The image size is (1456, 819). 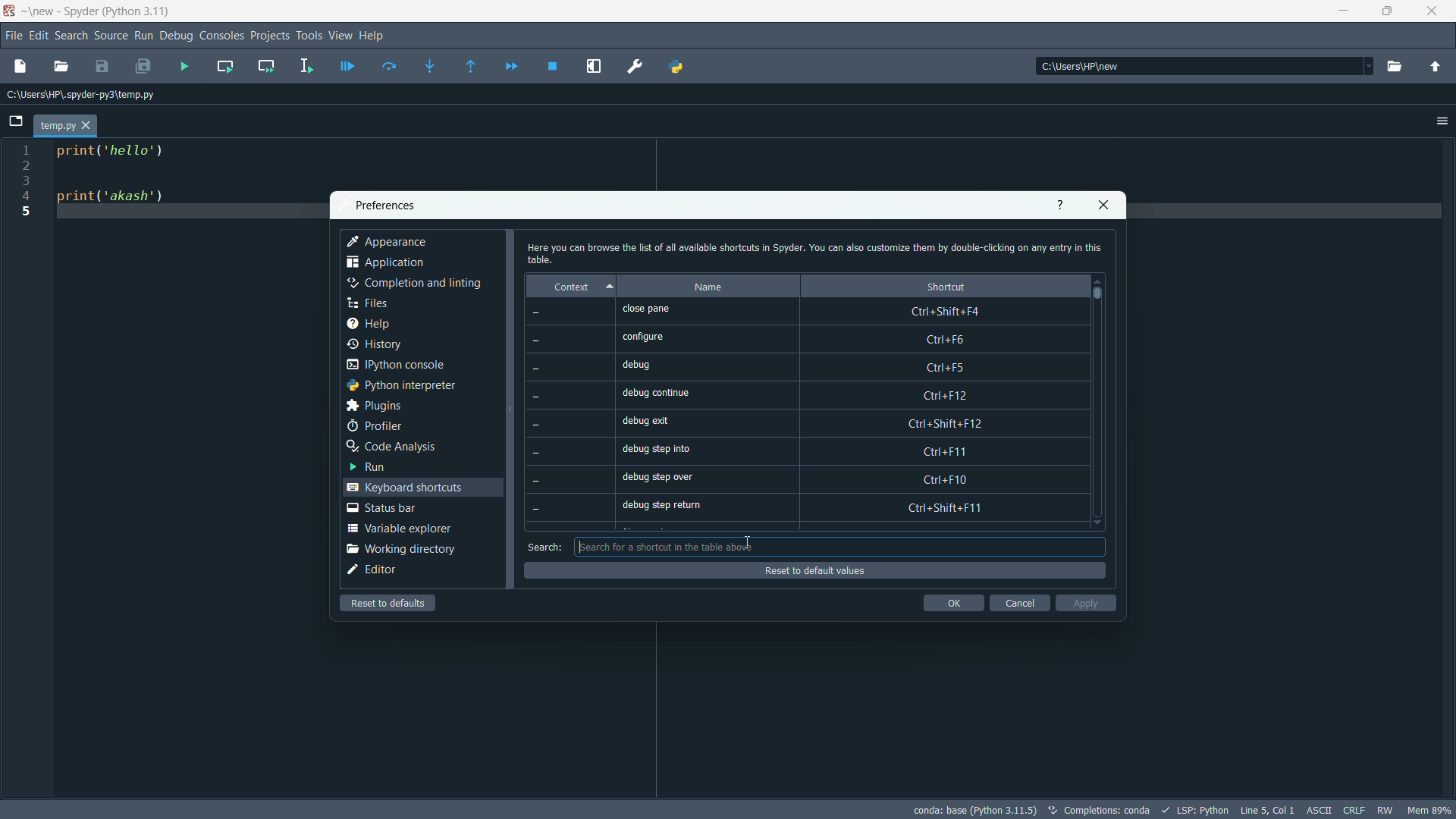 I want to click on help, so click(x=1059, y=206).